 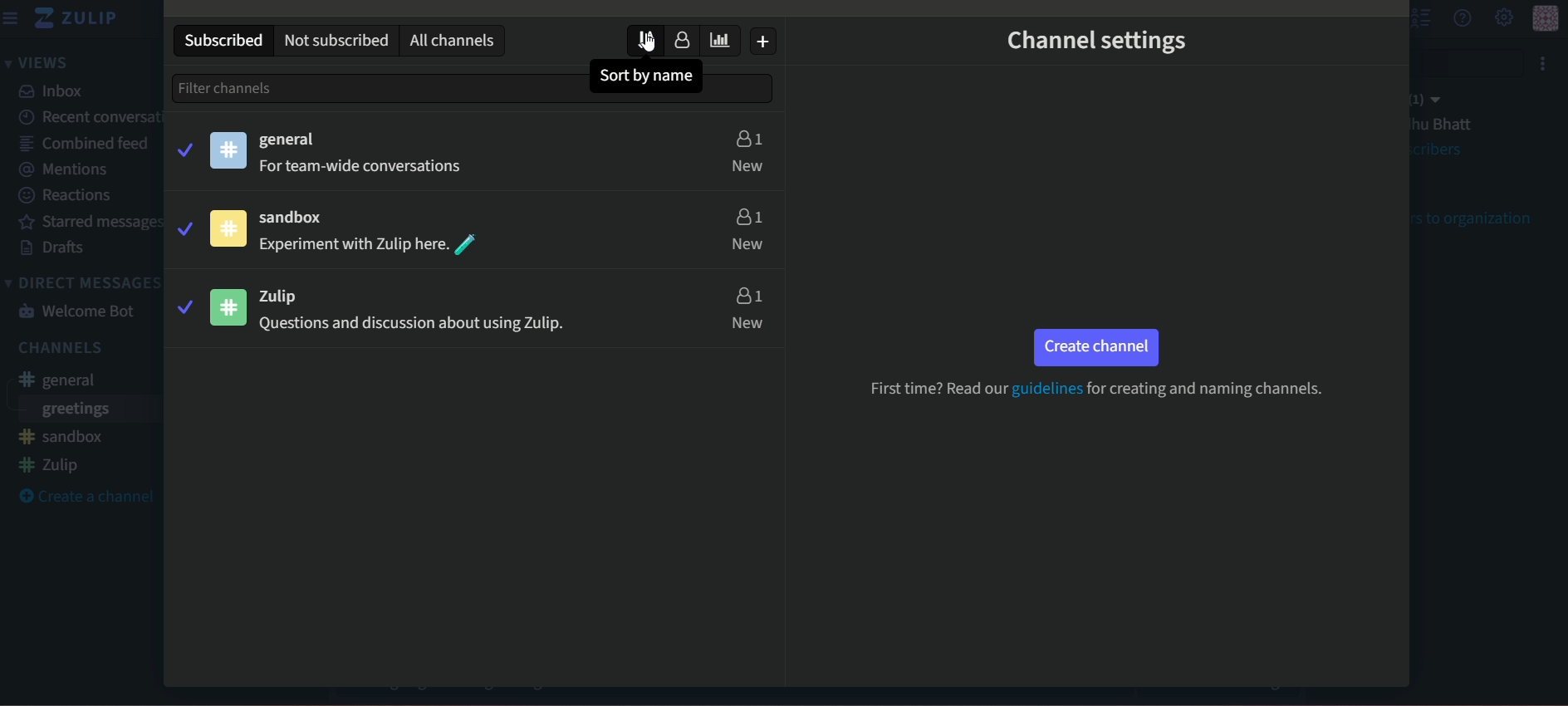 What do you see at coordinates (50, 465) in the screenshot?
I see `zulip` at bounding box center [50, 465].